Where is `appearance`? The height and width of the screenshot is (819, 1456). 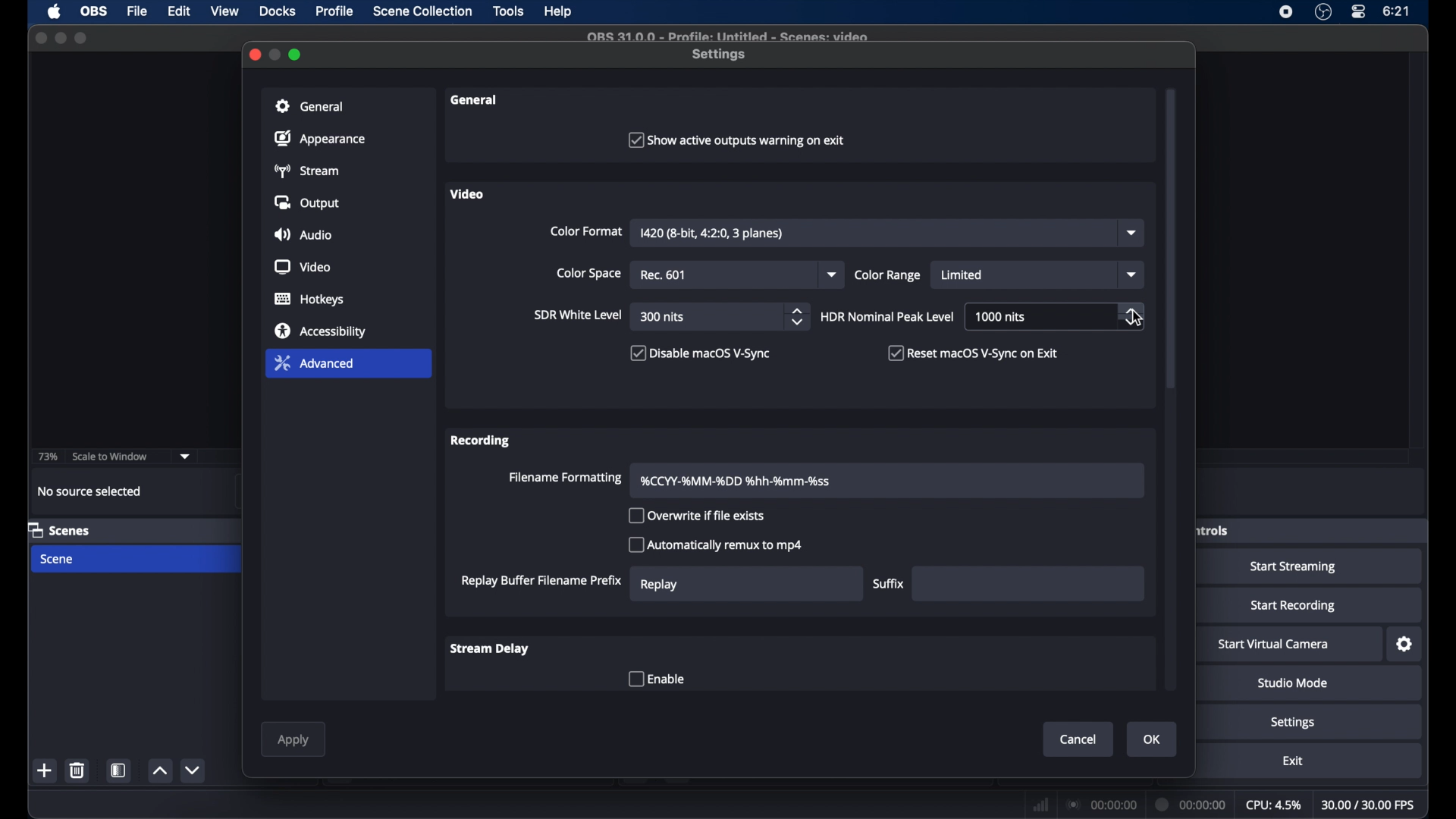 appearance is located at coordinates (320, 138).